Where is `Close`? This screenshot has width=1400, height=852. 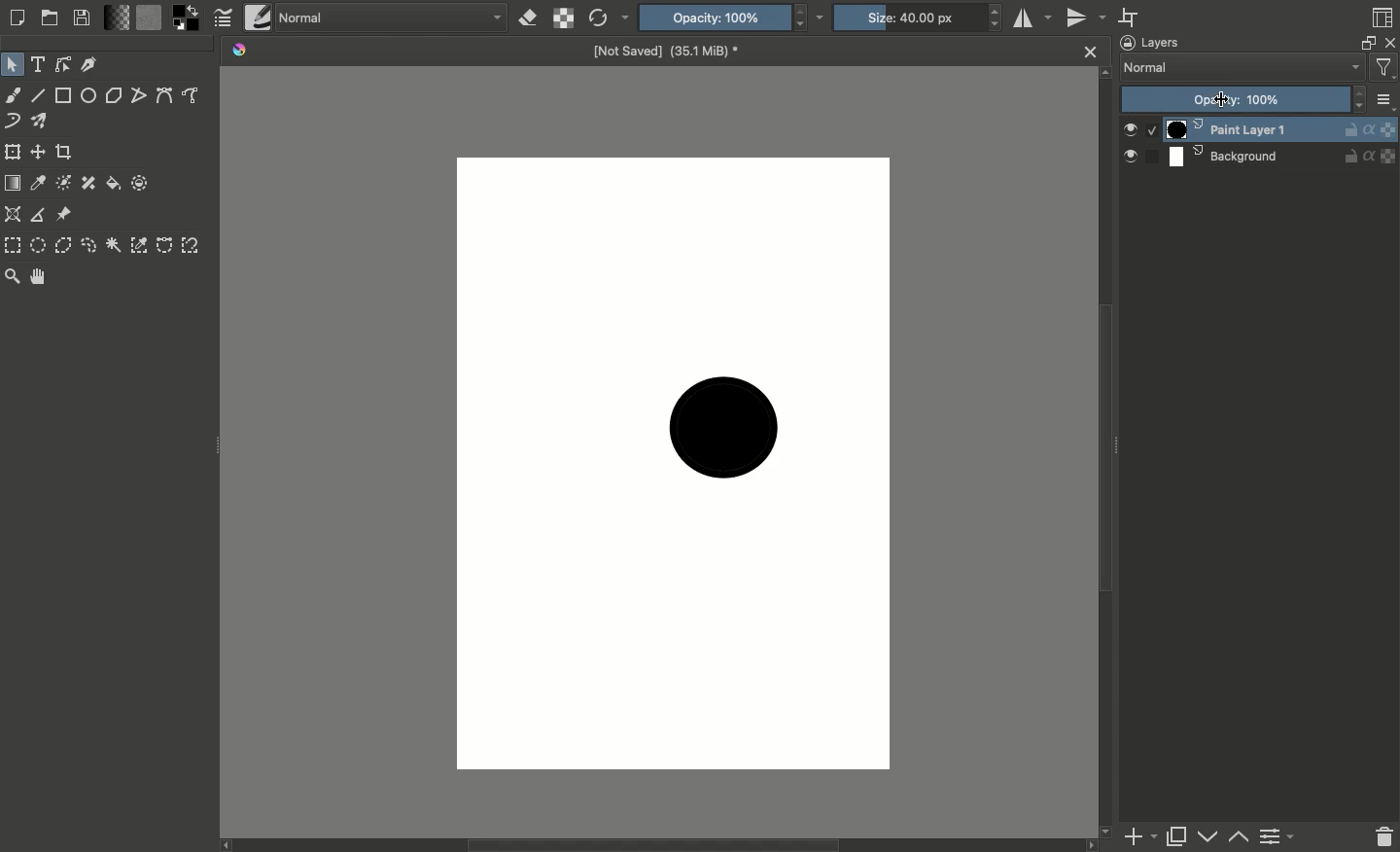 Close is located at coordinates (1086, 50).